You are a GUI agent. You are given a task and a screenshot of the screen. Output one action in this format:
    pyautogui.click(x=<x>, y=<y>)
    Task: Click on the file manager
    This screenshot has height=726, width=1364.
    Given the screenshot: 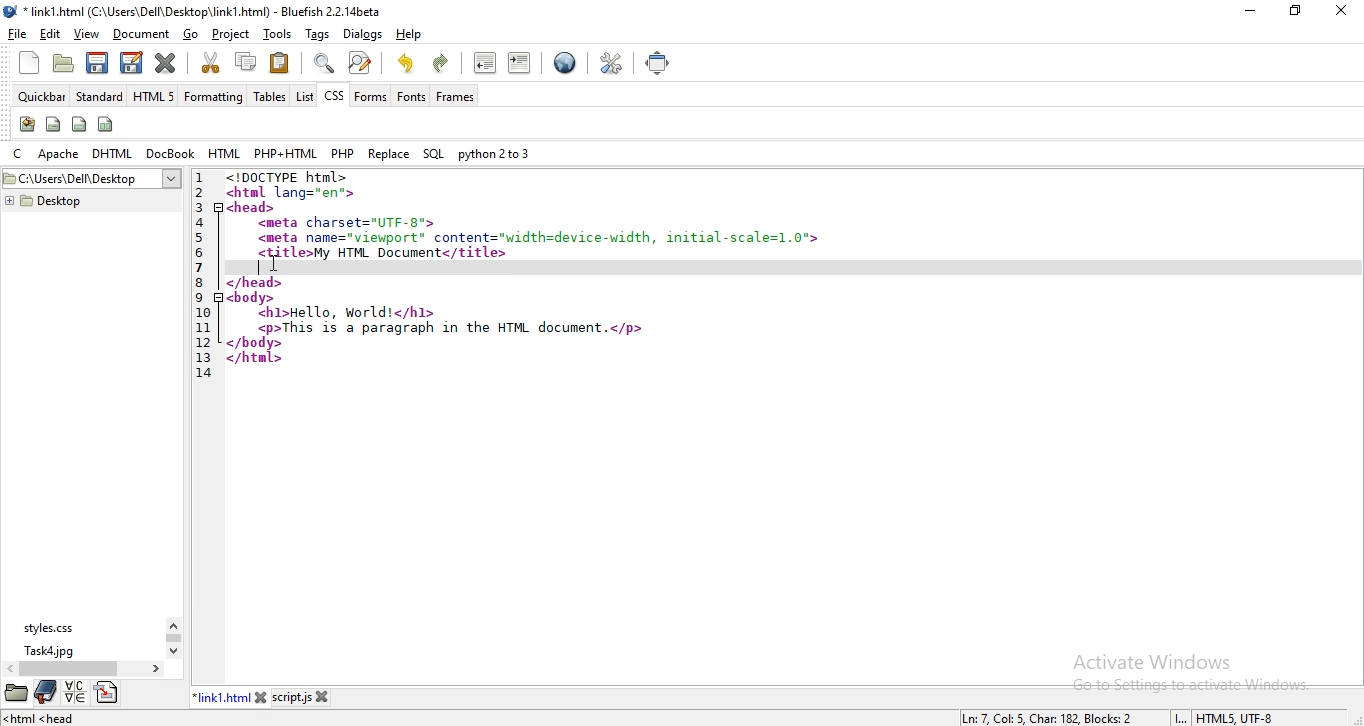 What is the action you would take?
    pyautogui.click(x=16, y=692)
    